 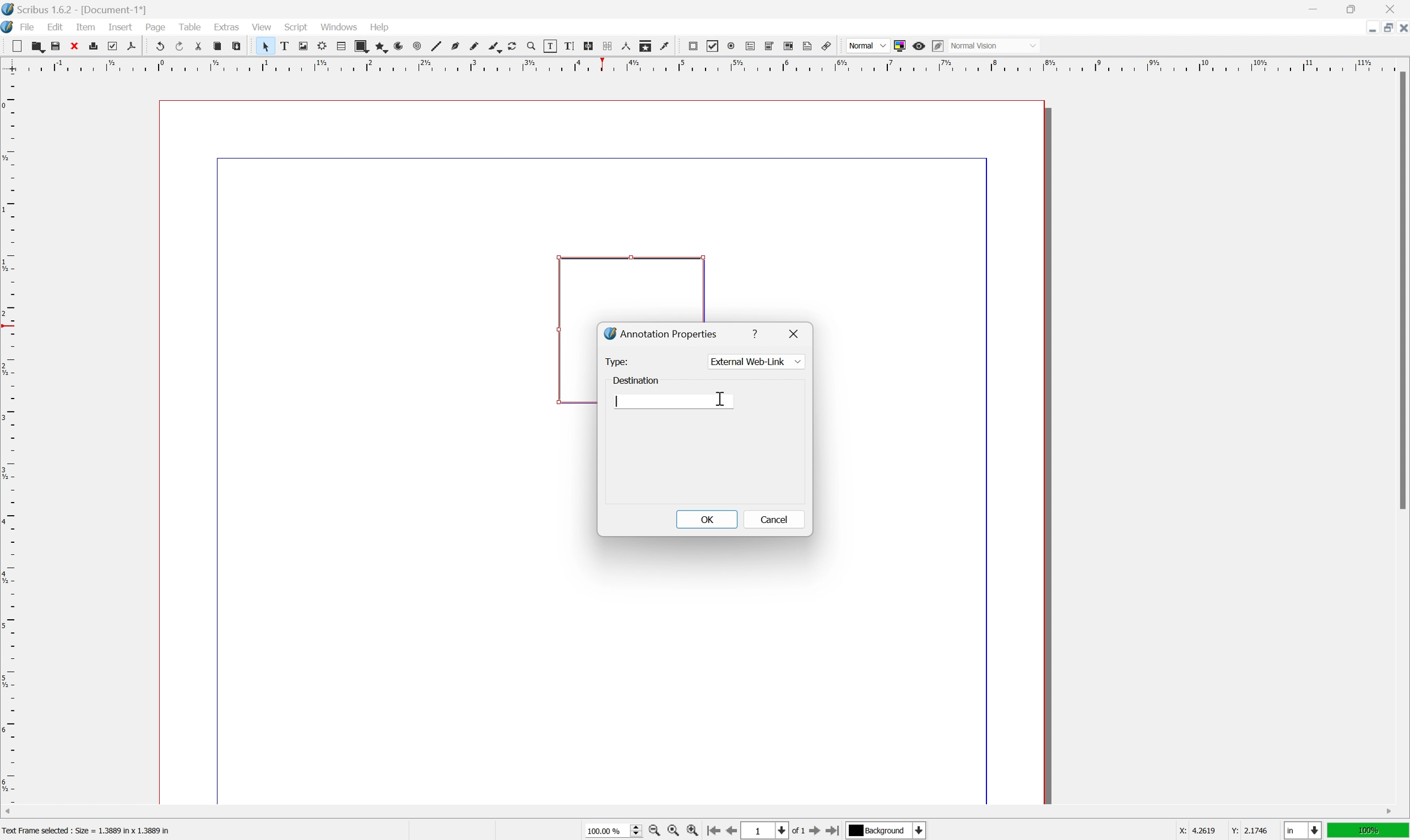 What do you see at coordinates (132, 46) in the screenshot?
I see `save as pdf` at bounding box center [132, 46].